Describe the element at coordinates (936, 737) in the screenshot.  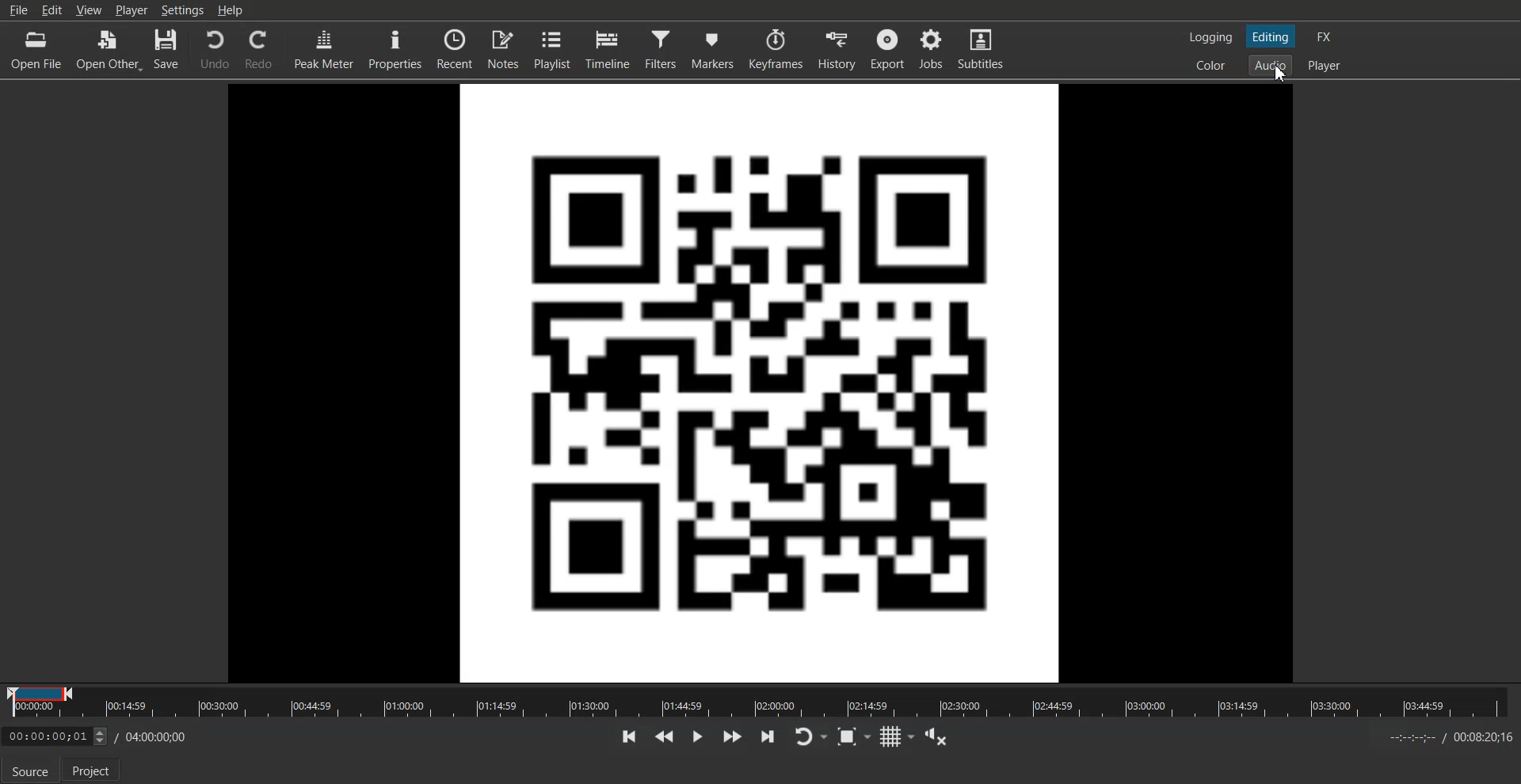
I see `Show the volume control` at that location.